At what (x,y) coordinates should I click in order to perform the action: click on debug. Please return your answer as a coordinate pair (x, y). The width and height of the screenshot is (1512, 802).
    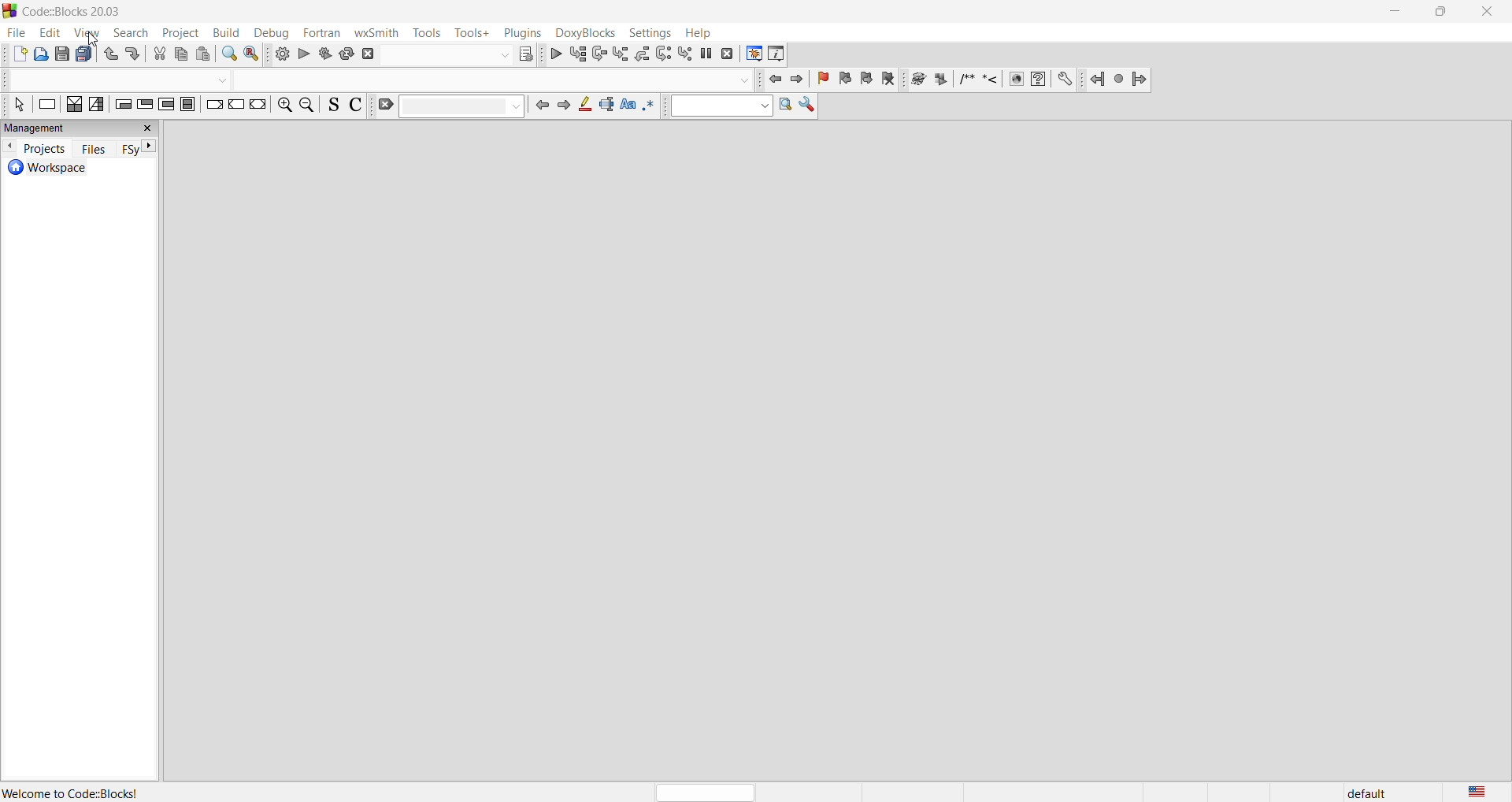
    Looking at the image, I should click on (274, 33).